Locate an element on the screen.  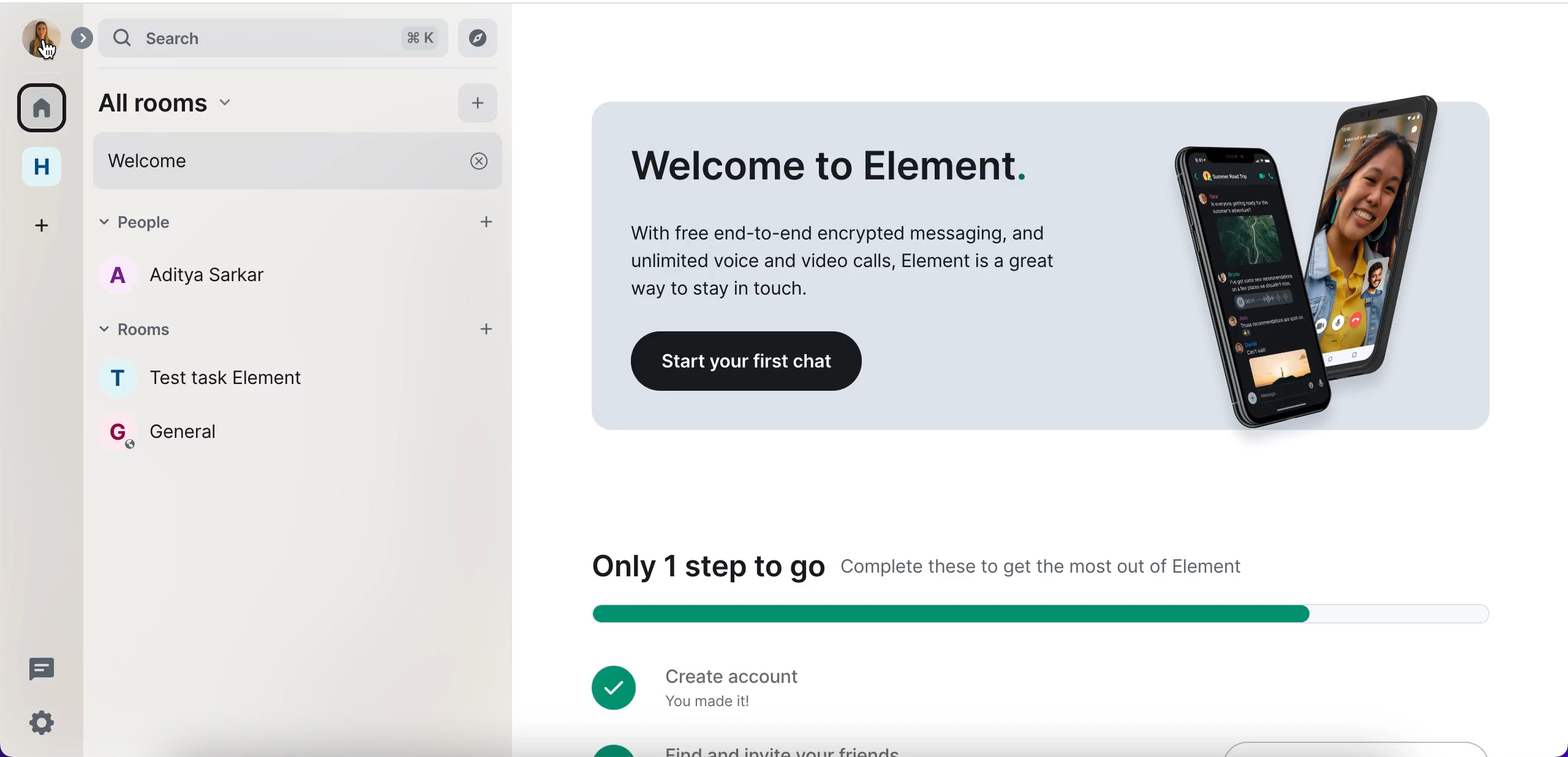
threads is located at coordinates (43, 669).